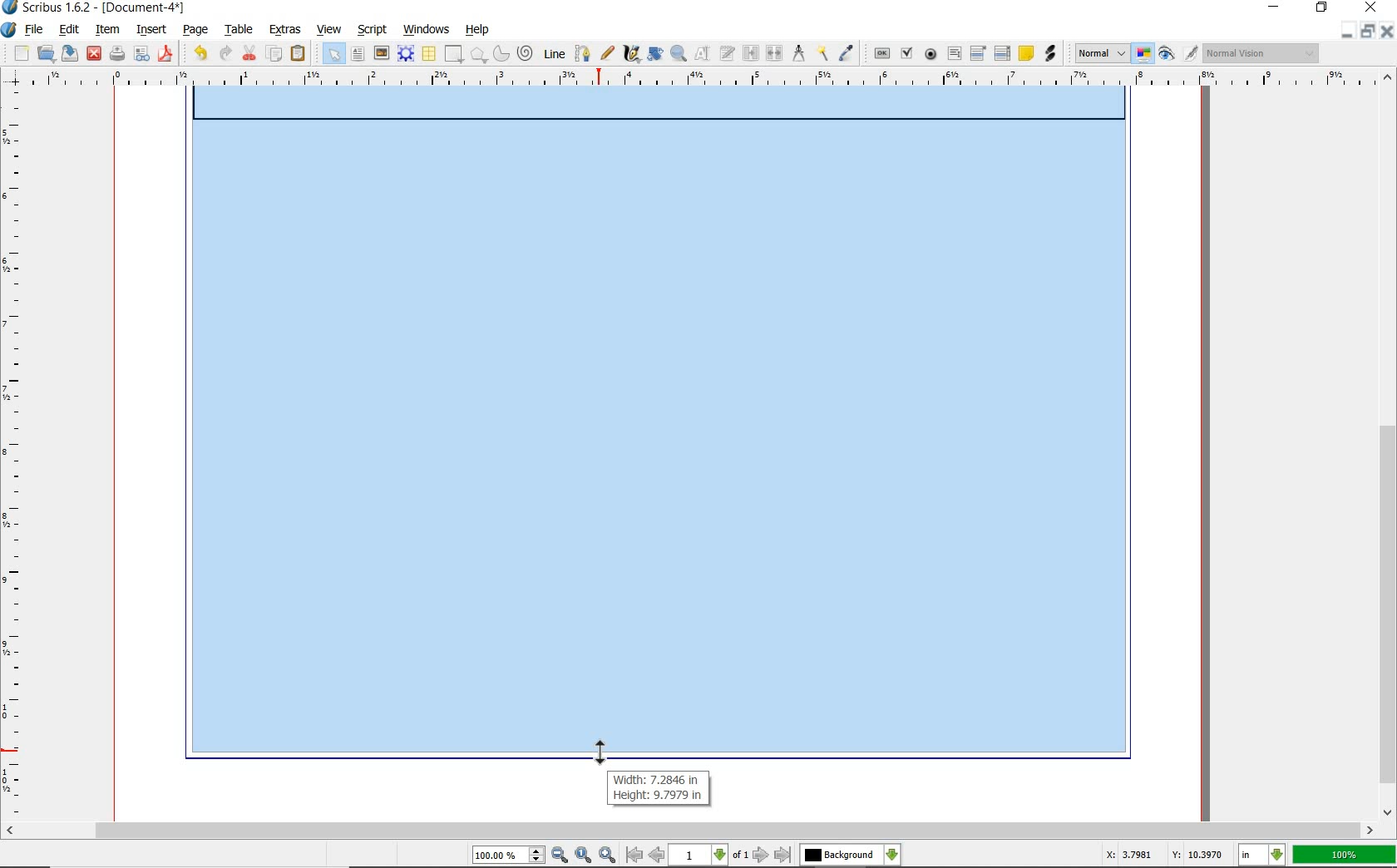 The height and width of the screenshot is (868, 1397). What do you see at coordinates (1261, 52) in the screenshot?
I see `Normal Vision` at bounding box center [1261, 52].